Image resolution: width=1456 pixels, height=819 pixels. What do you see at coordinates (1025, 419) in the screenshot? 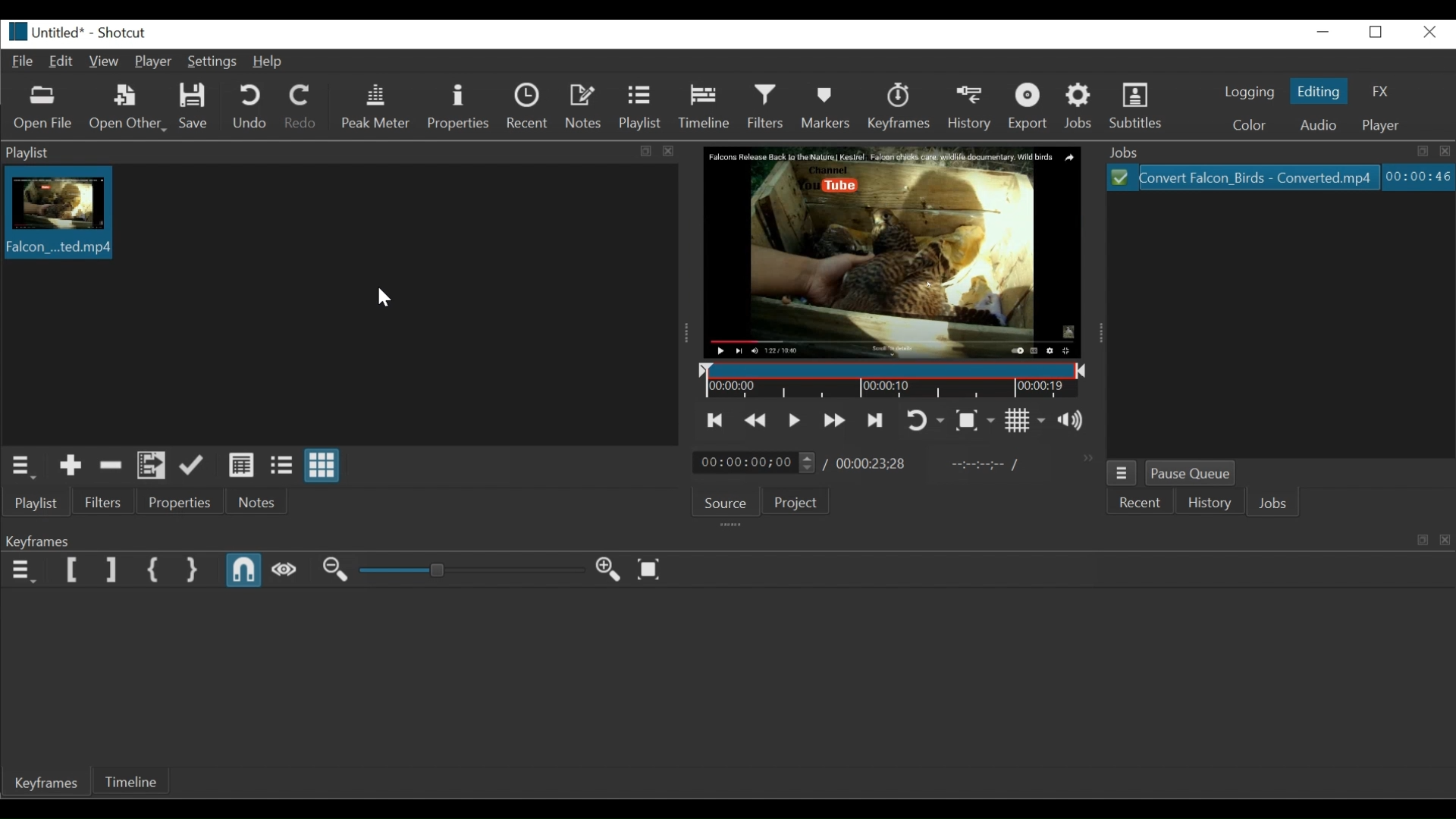
I see `Toggle grid display on the player` at bounding box center [1025, 419].